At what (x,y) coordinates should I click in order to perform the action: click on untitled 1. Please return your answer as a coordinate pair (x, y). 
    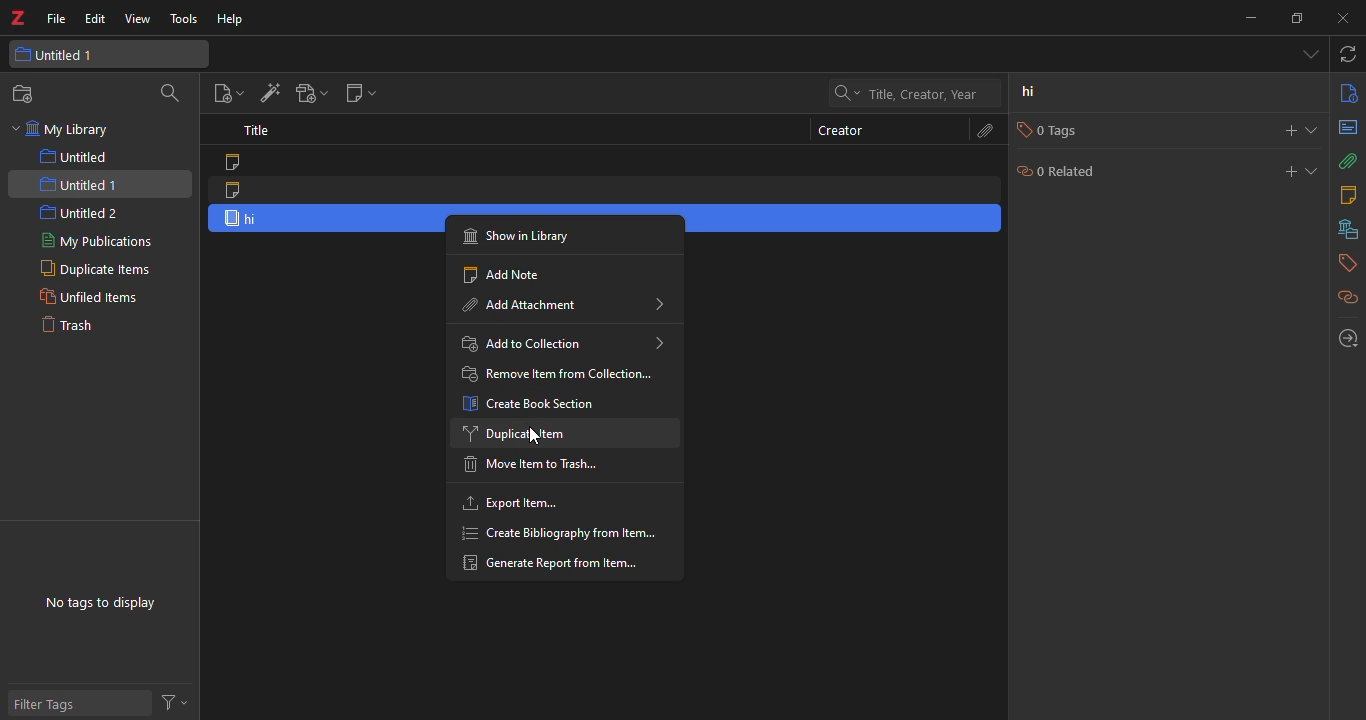
    Looking at the image, I should click on (78, 183).